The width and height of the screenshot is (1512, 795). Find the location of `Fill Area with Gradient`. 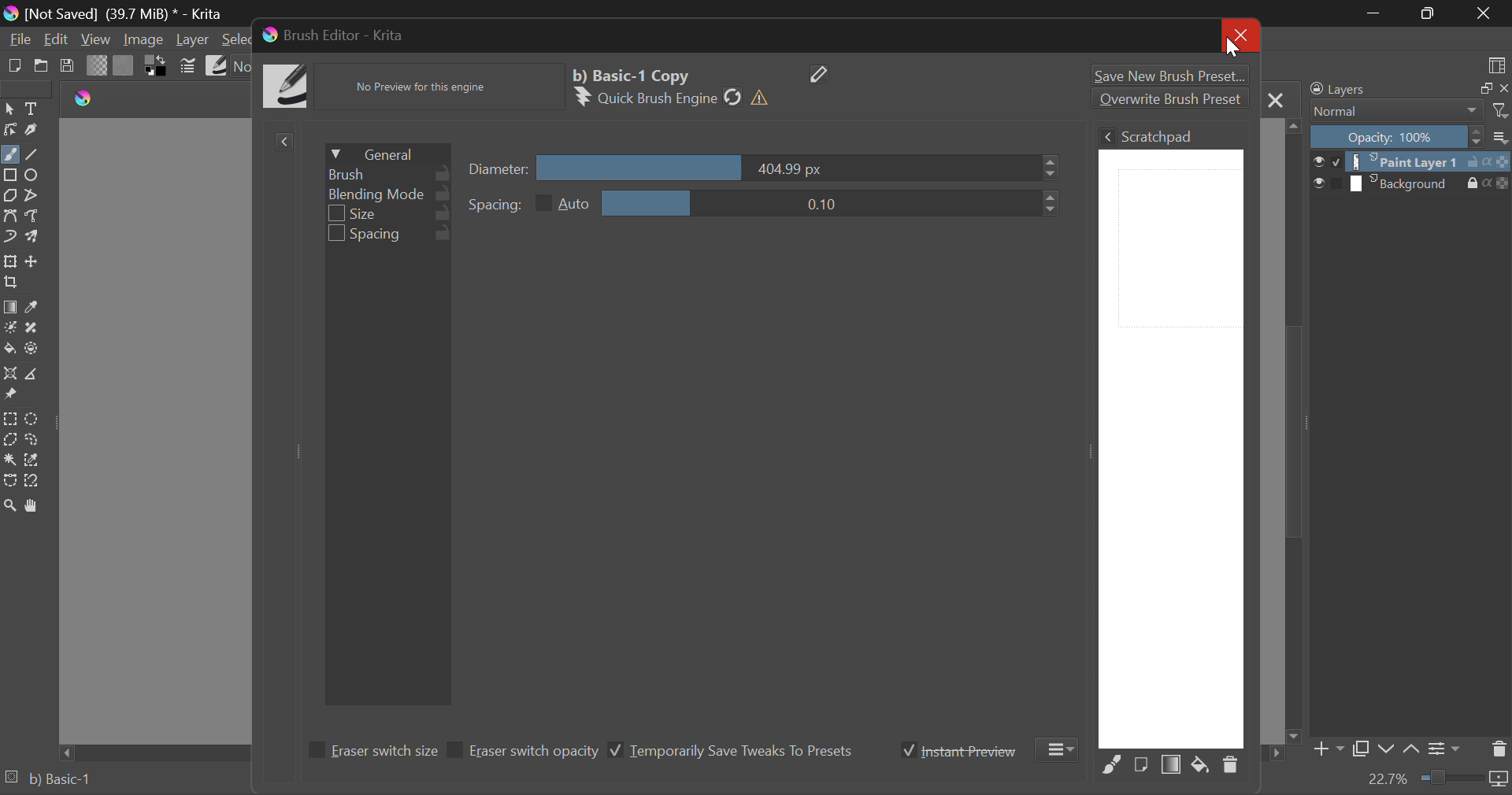

Fill Area with Gradient is located at coordinates (1172, 766).